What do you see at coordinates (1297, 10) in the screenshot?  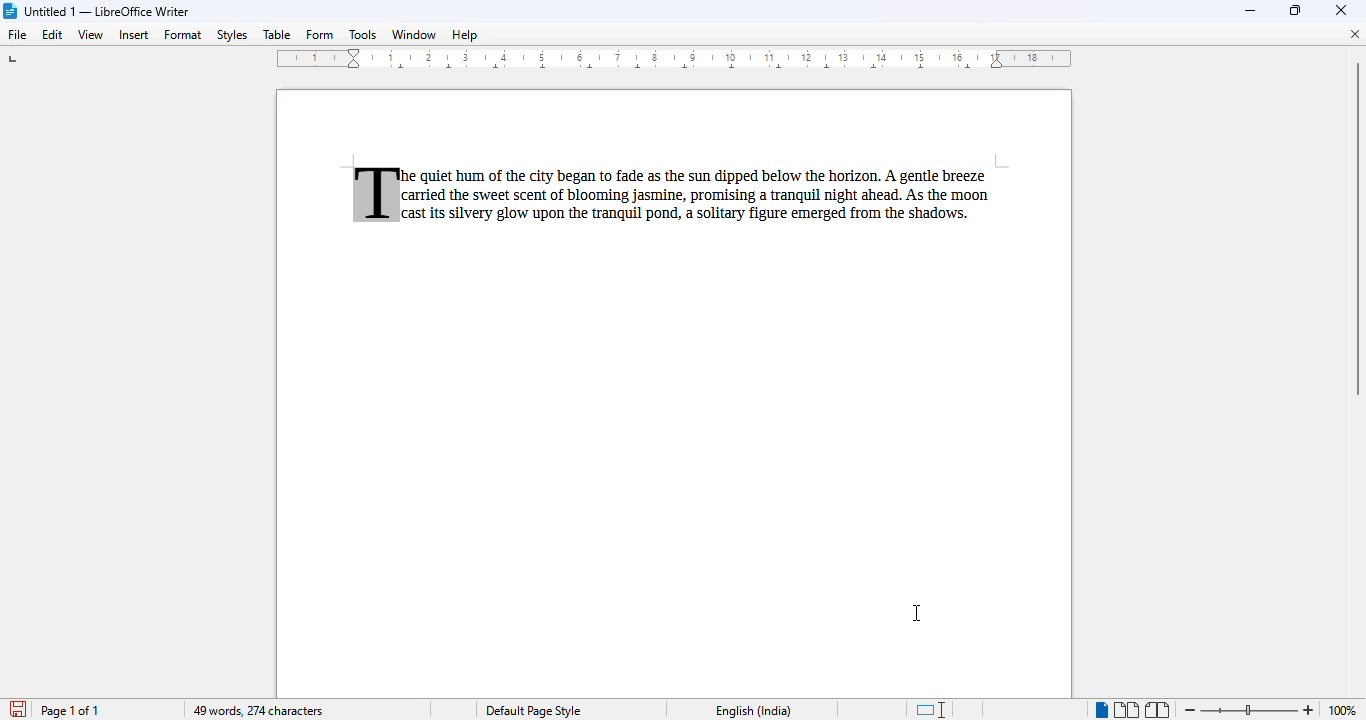 I see `maximize` at bounding box center [1297, 10].